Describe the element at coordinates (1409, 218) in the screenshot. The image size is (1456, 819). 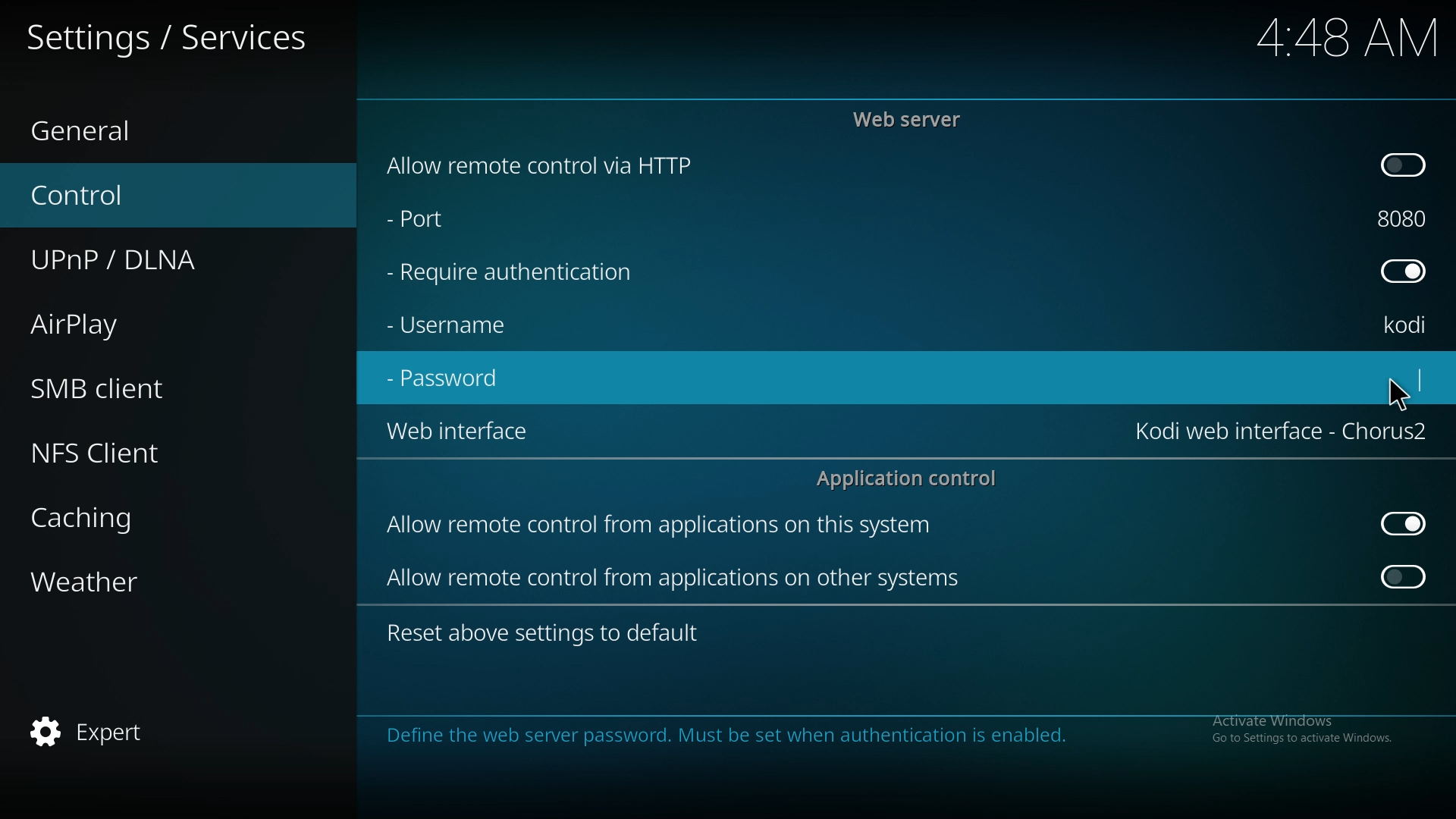
I see `port` at that location.